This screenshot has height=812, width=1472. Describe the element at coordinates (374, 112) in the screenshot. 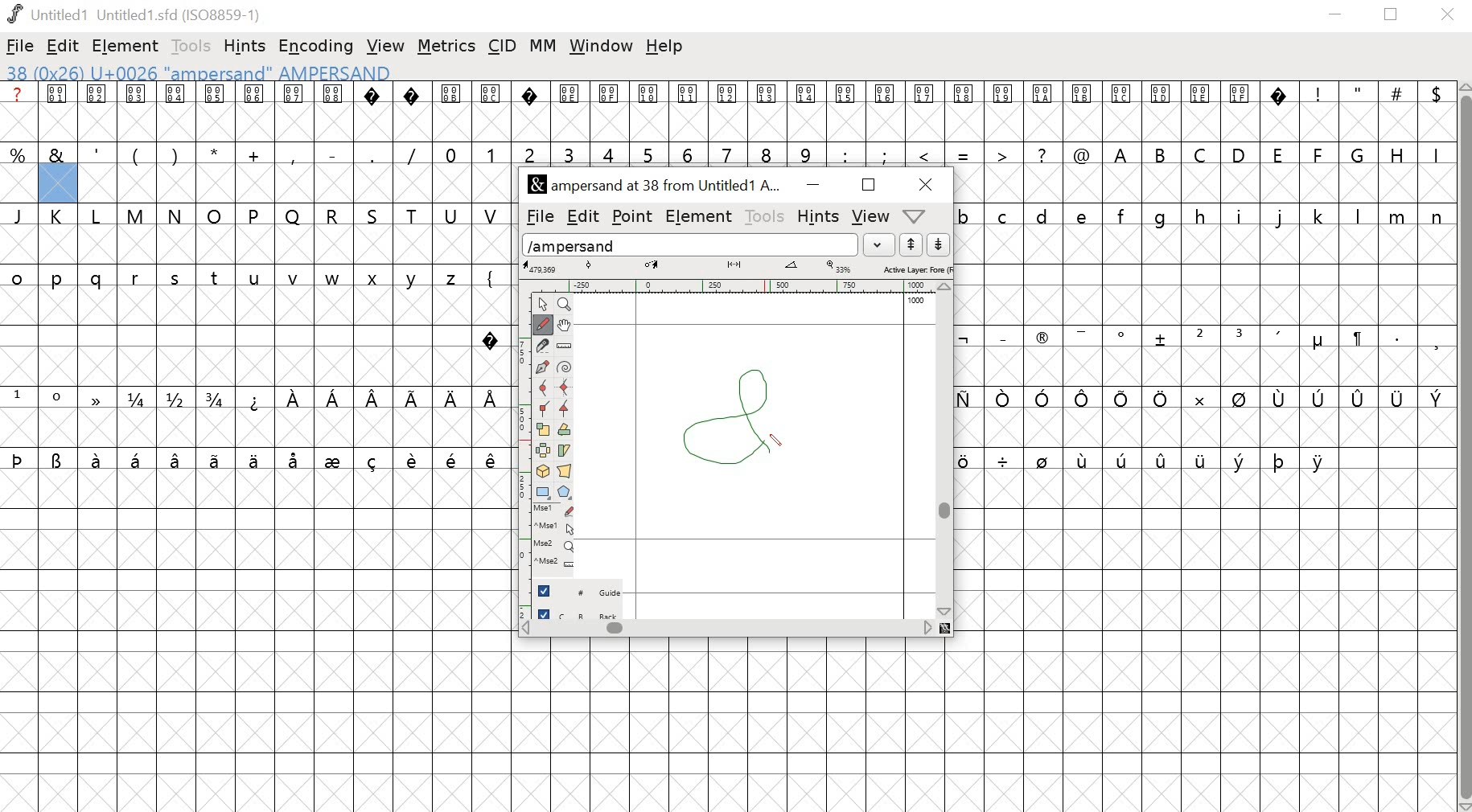

I see `?` at that location.